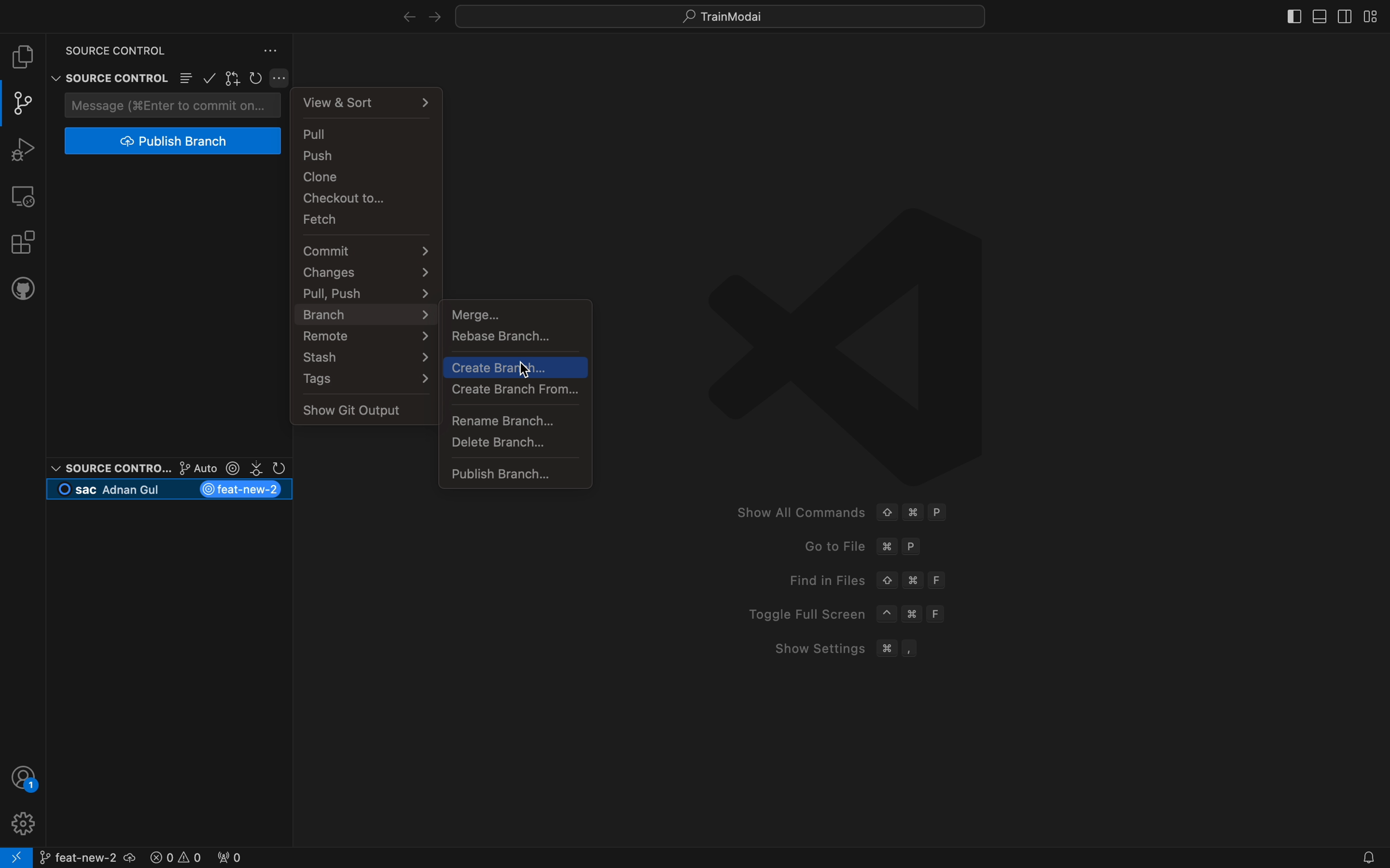  What do you see at coordinates (24, 195) in the screenshot?
I see `remote` at bounding box center [24, 195].